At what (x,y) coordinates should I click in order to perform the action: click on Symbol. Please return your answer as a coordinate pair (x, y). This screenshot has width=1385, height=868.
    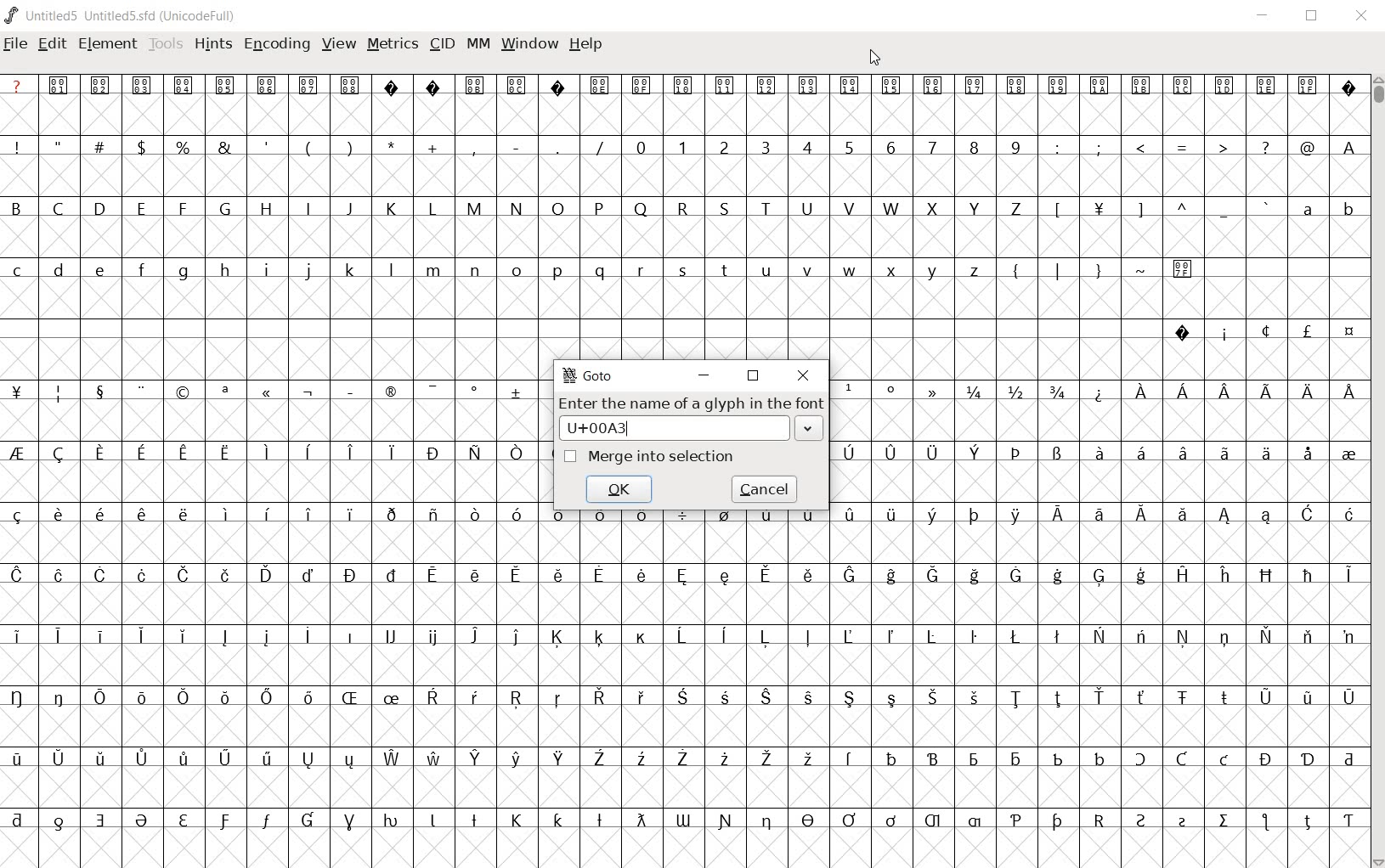
    Looking at the image, I should click on (1307, 453).